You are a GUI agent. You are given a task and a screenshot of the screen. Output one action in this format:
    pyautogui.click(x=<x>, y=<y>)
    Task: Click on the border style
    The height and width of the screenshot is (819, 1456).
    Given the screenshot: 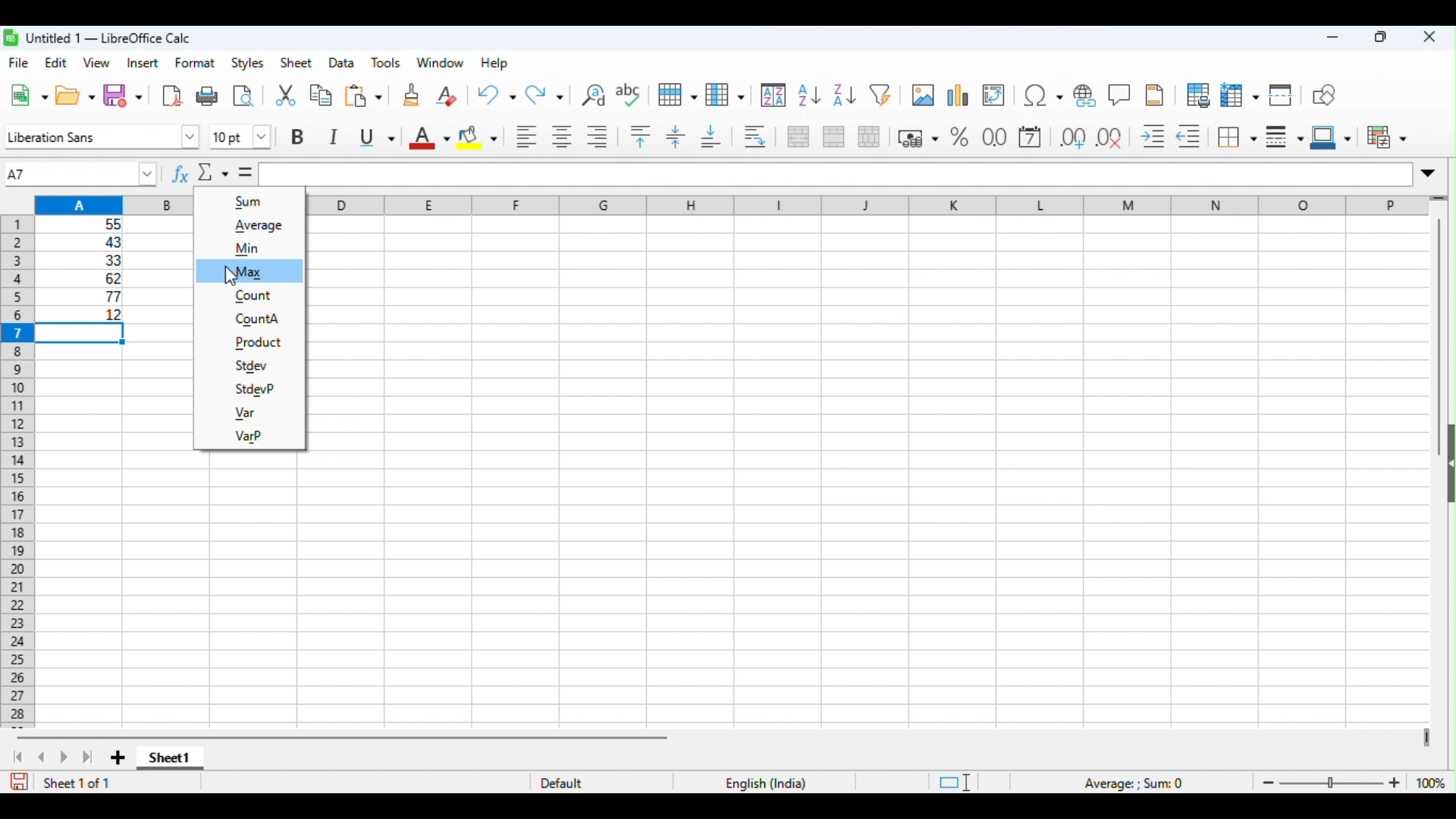 What is the action you would take?
    pyautogui.click(x=1283, y=135)
    